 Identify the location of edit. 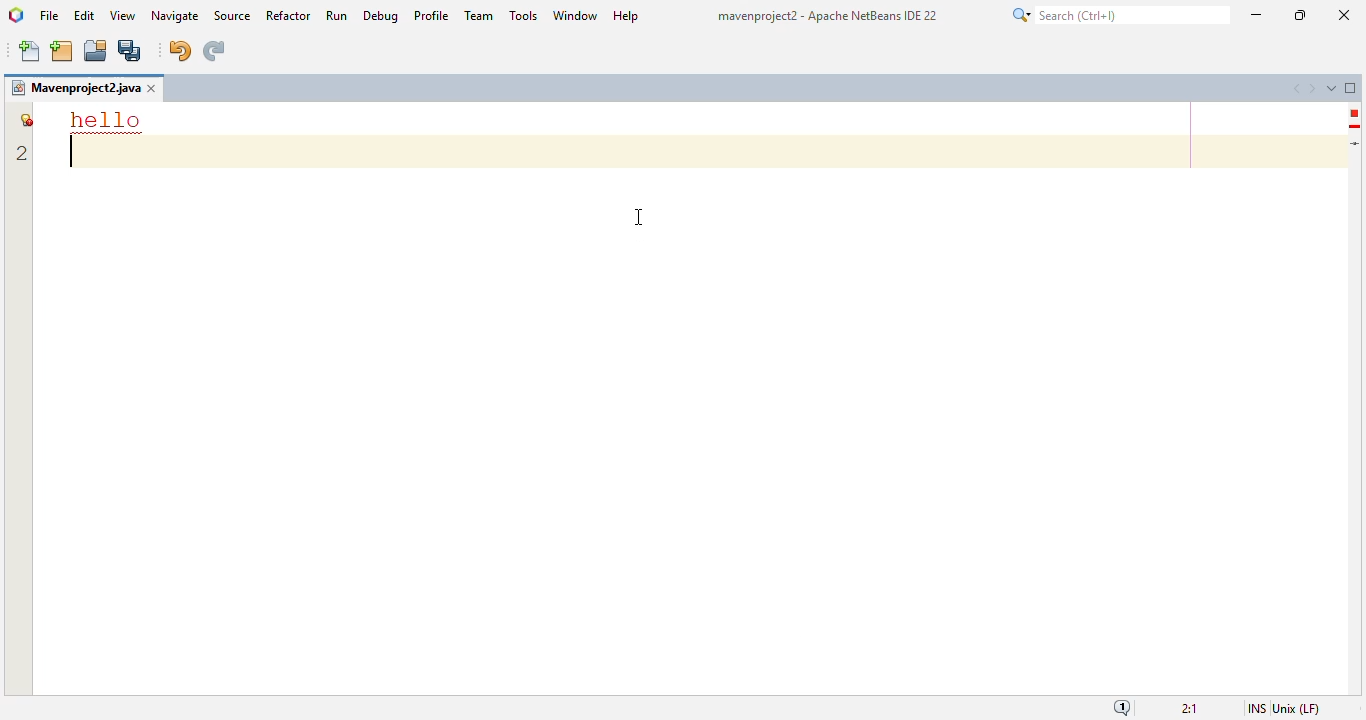
(85, 15).